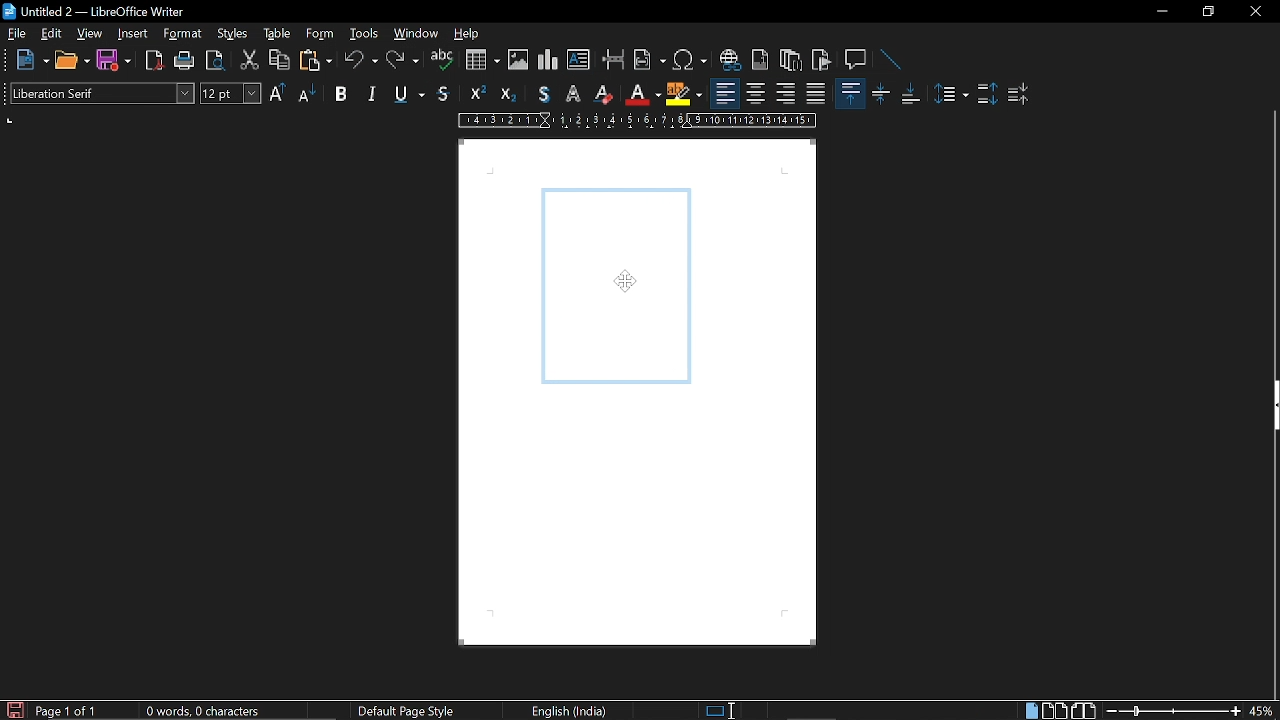  Describe the element at coordinates (153, 60) in the screenshot. I see `export as pdf` at that location.